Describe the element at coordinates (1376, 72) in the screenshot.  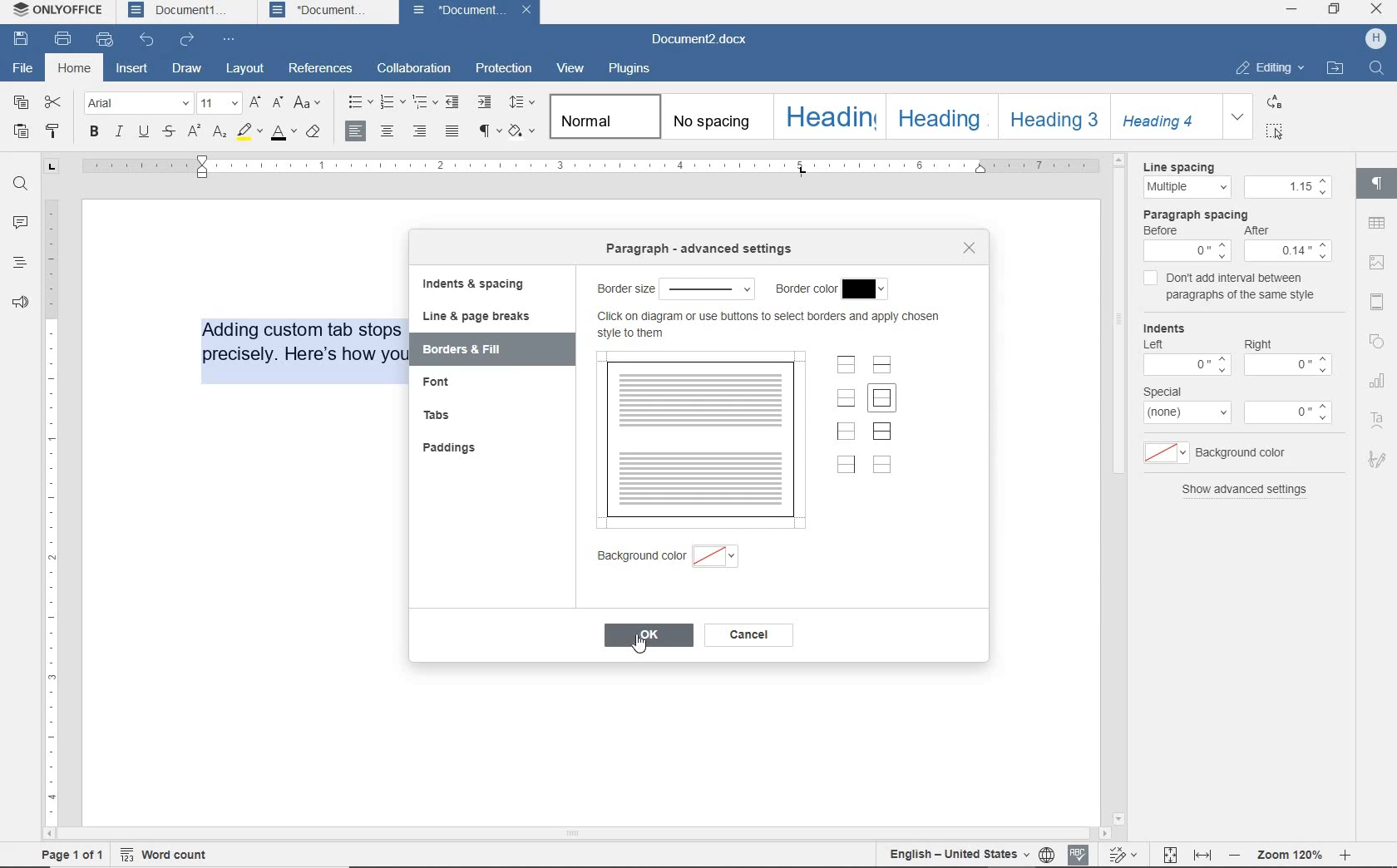
I see `search` at that location.